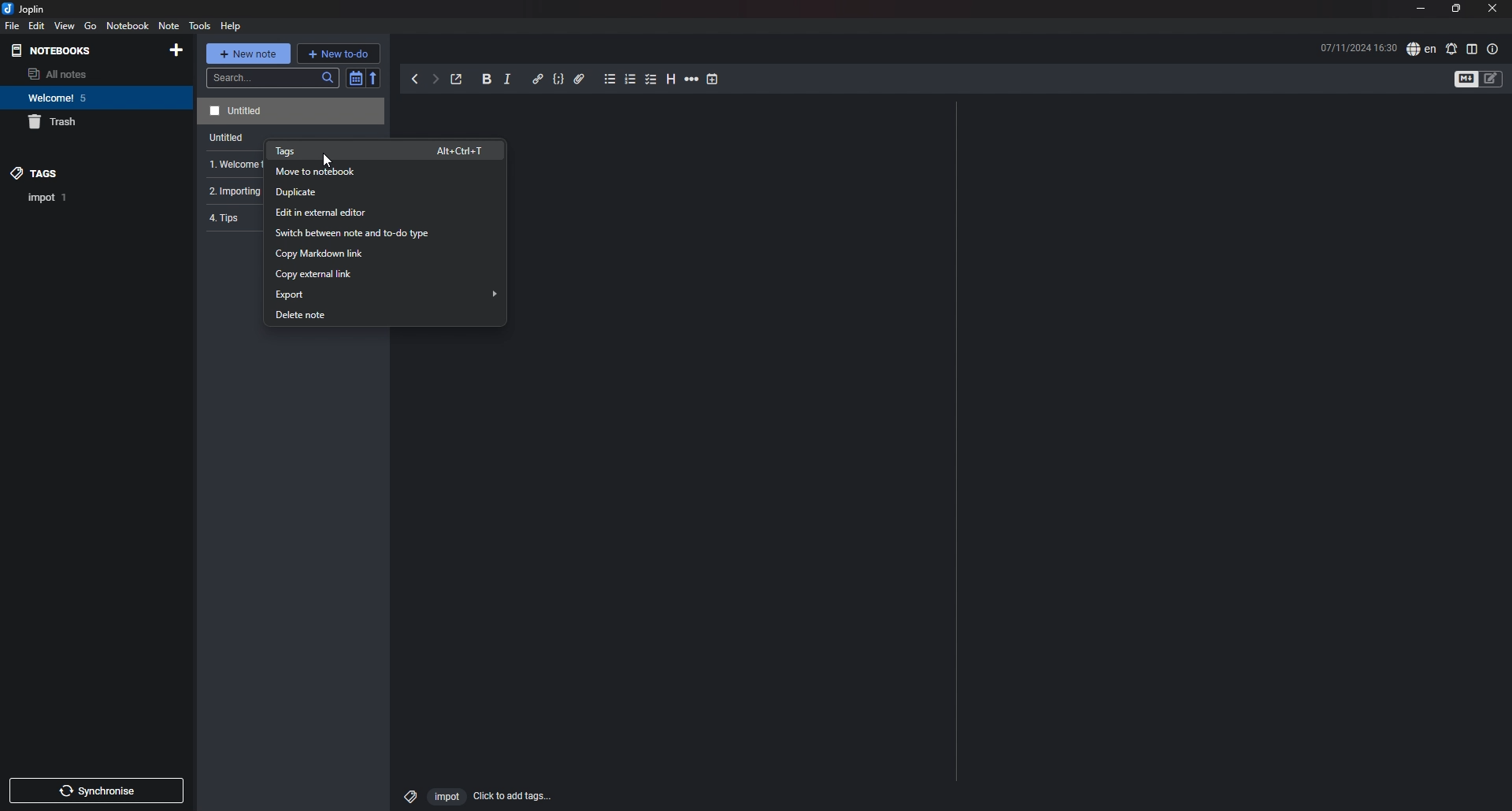 This screenshot has width=1512, height=811. What do you see at coordinates (1358, 47) in the screenshot?
I see `time and date` at bounding box center [1358, 47].